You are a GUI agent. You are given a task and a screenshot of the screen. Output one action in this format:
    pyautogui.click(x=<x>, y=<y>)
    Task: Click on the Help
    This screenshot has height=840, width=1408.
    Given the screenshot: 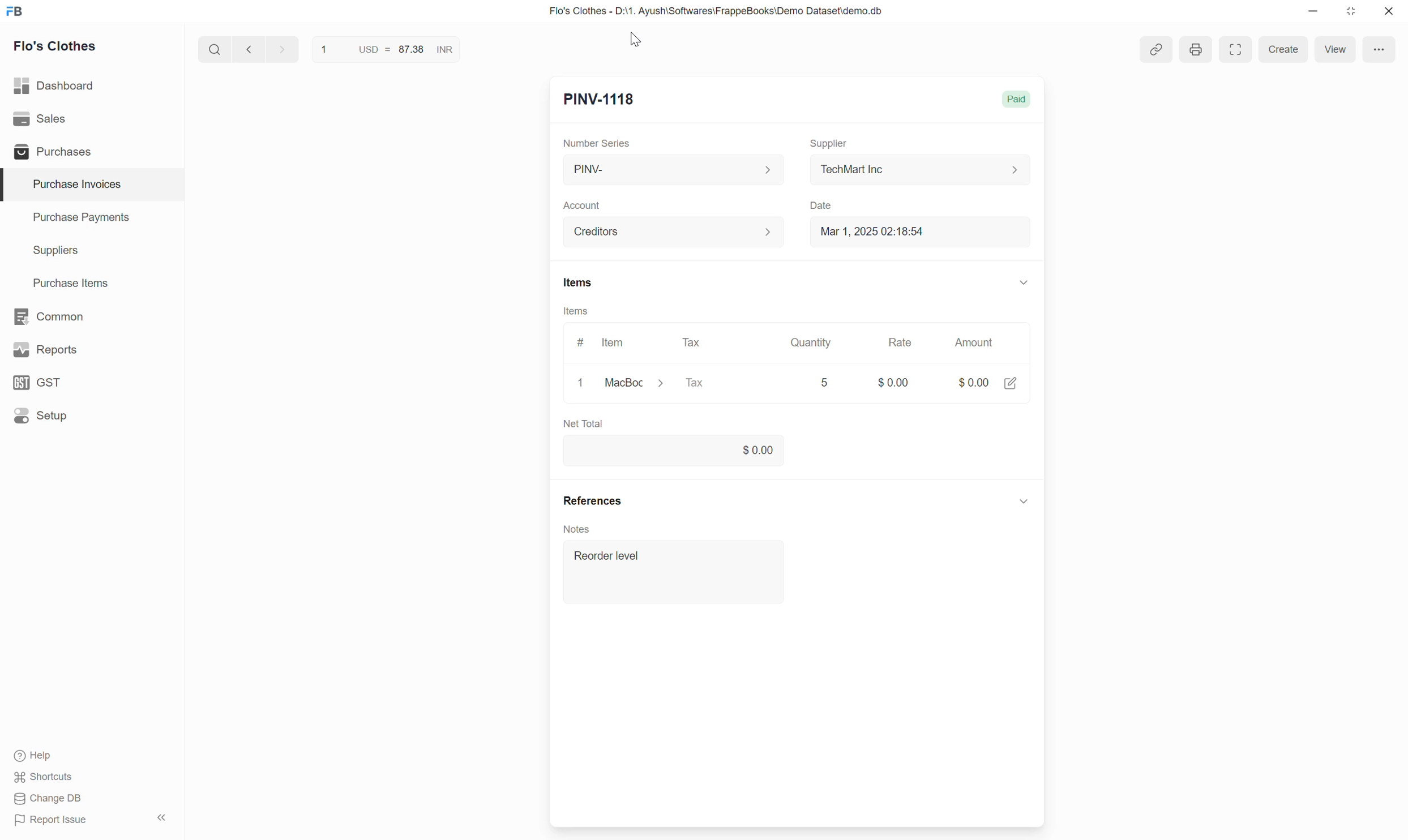 What is the action you would take?
    pyautogui.click(x=38, y=756)
    